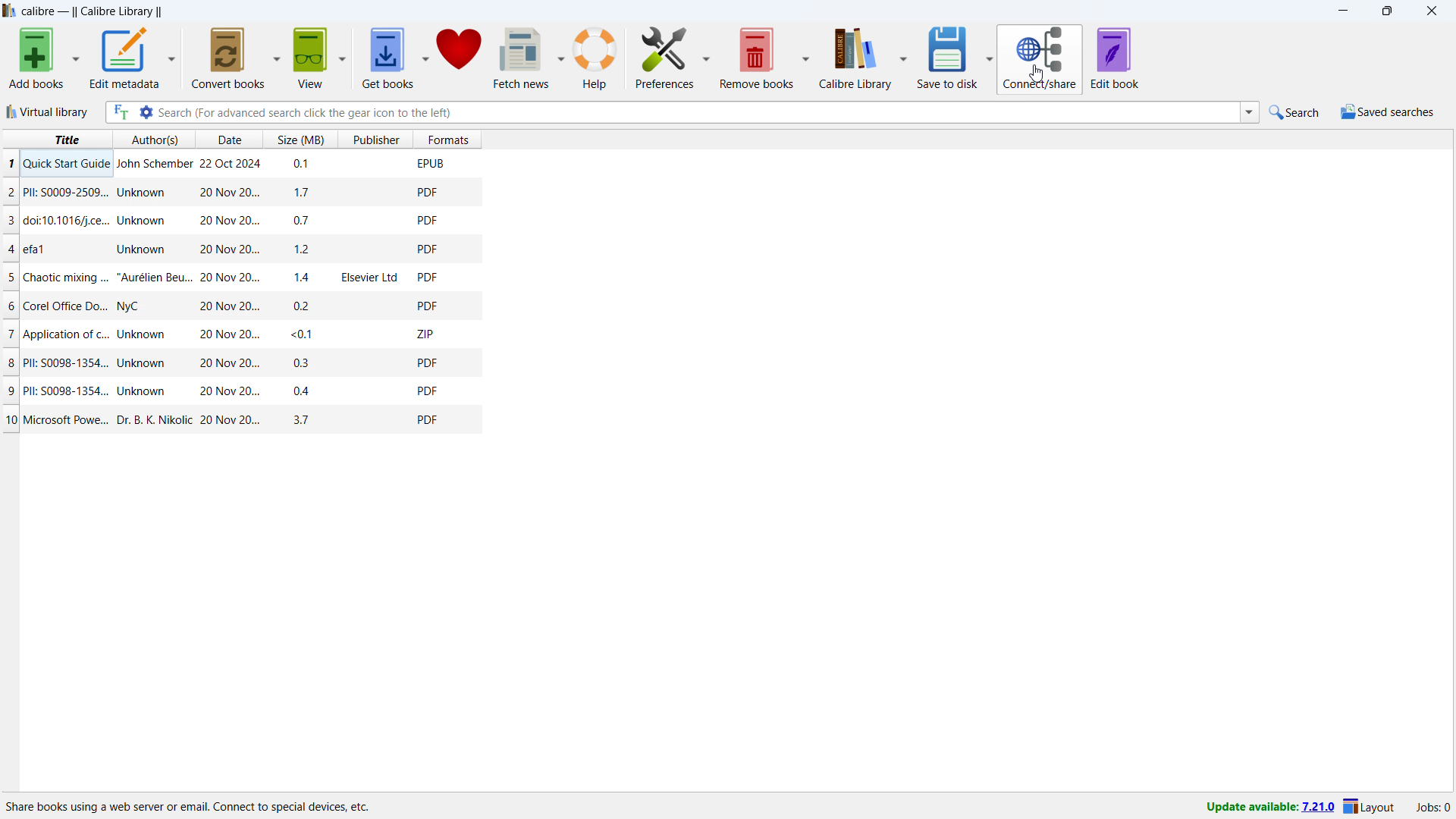 This screenshot has width=1456, height=819. I want to click on virtual library, so click(48, 111).